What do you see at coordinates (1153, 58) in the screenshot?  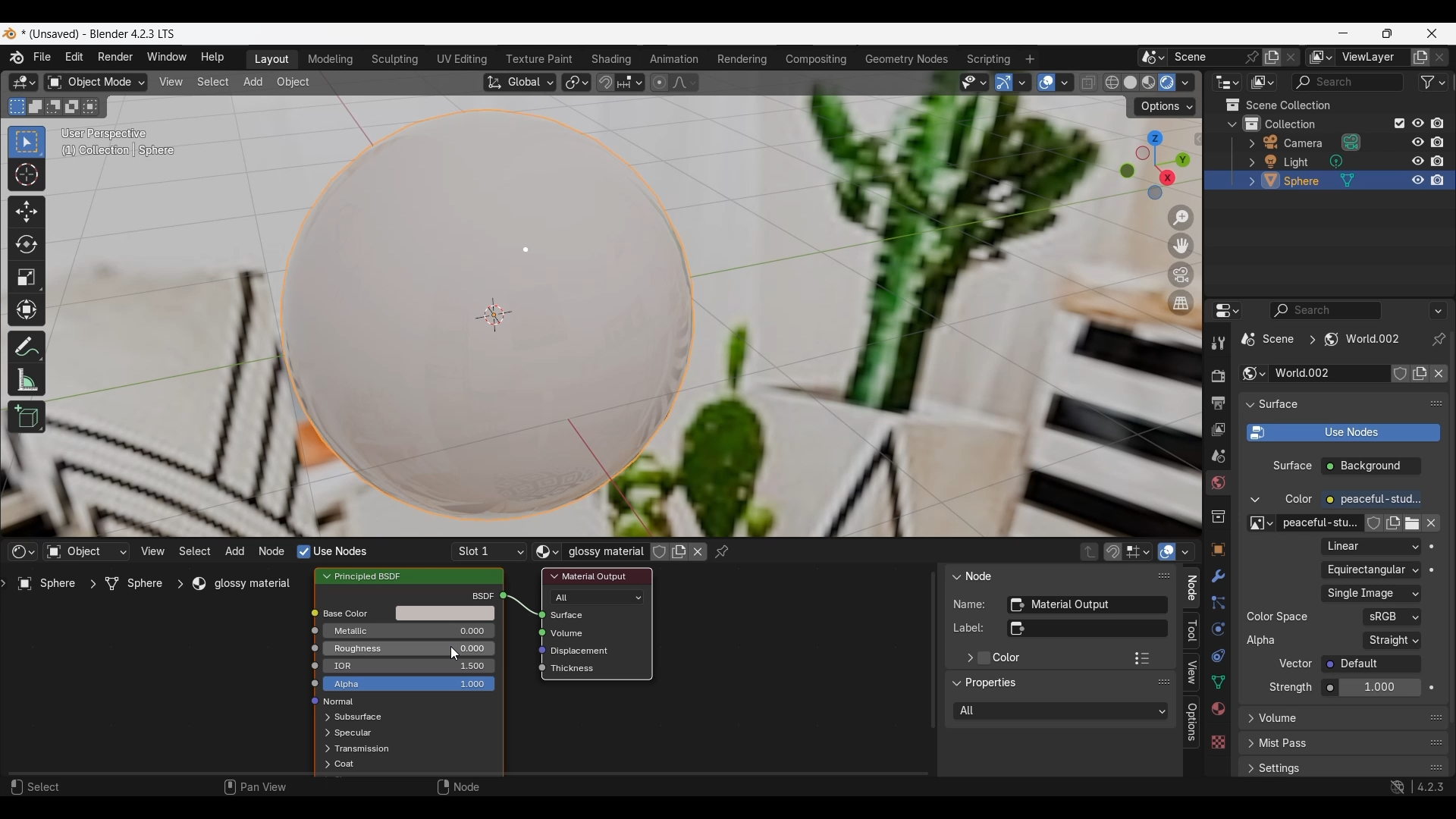 I see `Browse scene to be linked` at bounding box center [1153, 58].